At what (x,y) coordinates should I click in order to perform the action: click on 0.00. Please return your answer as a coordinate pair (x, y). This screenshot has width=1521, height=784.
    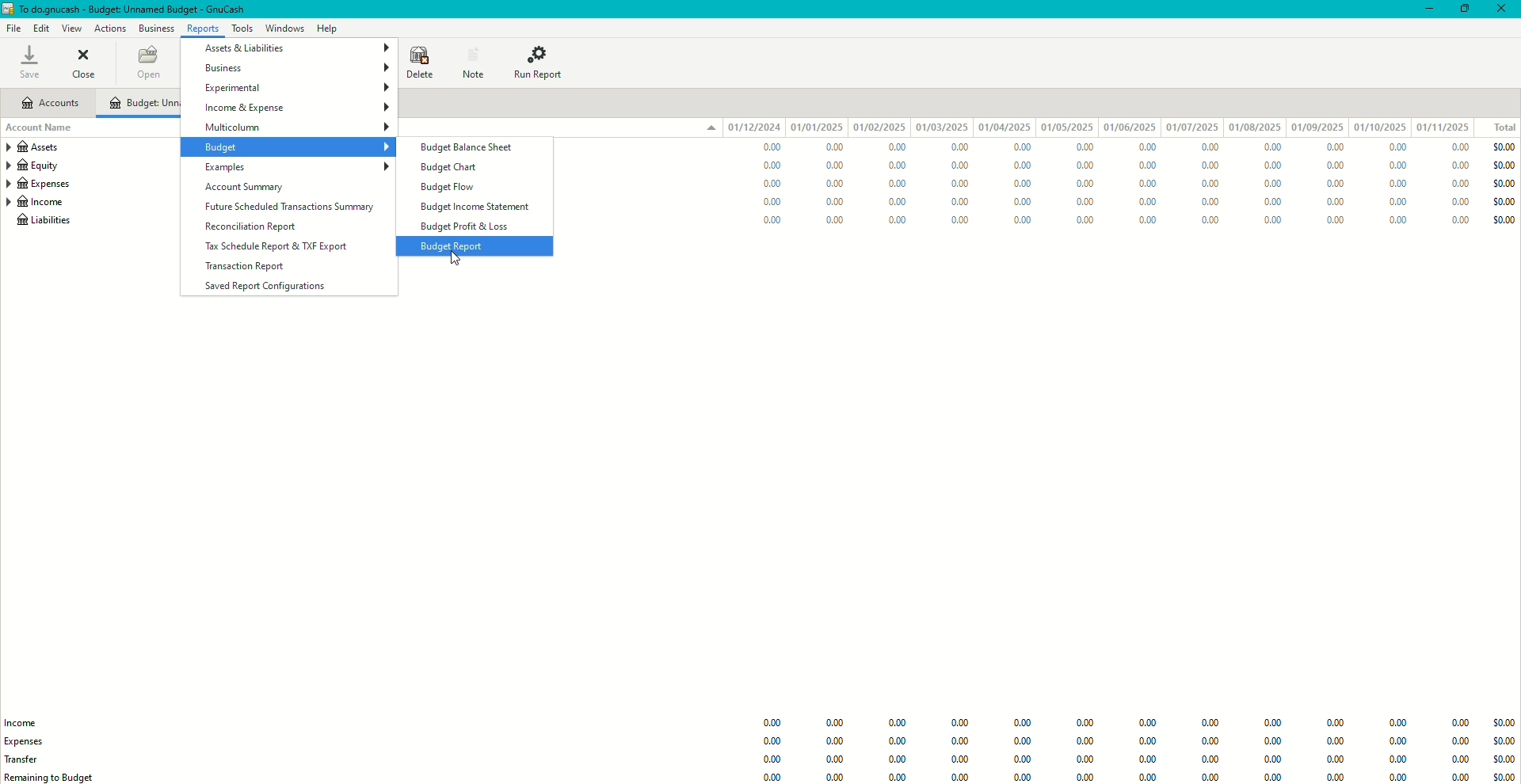
    Looking at the image, I should click on (963, 777).